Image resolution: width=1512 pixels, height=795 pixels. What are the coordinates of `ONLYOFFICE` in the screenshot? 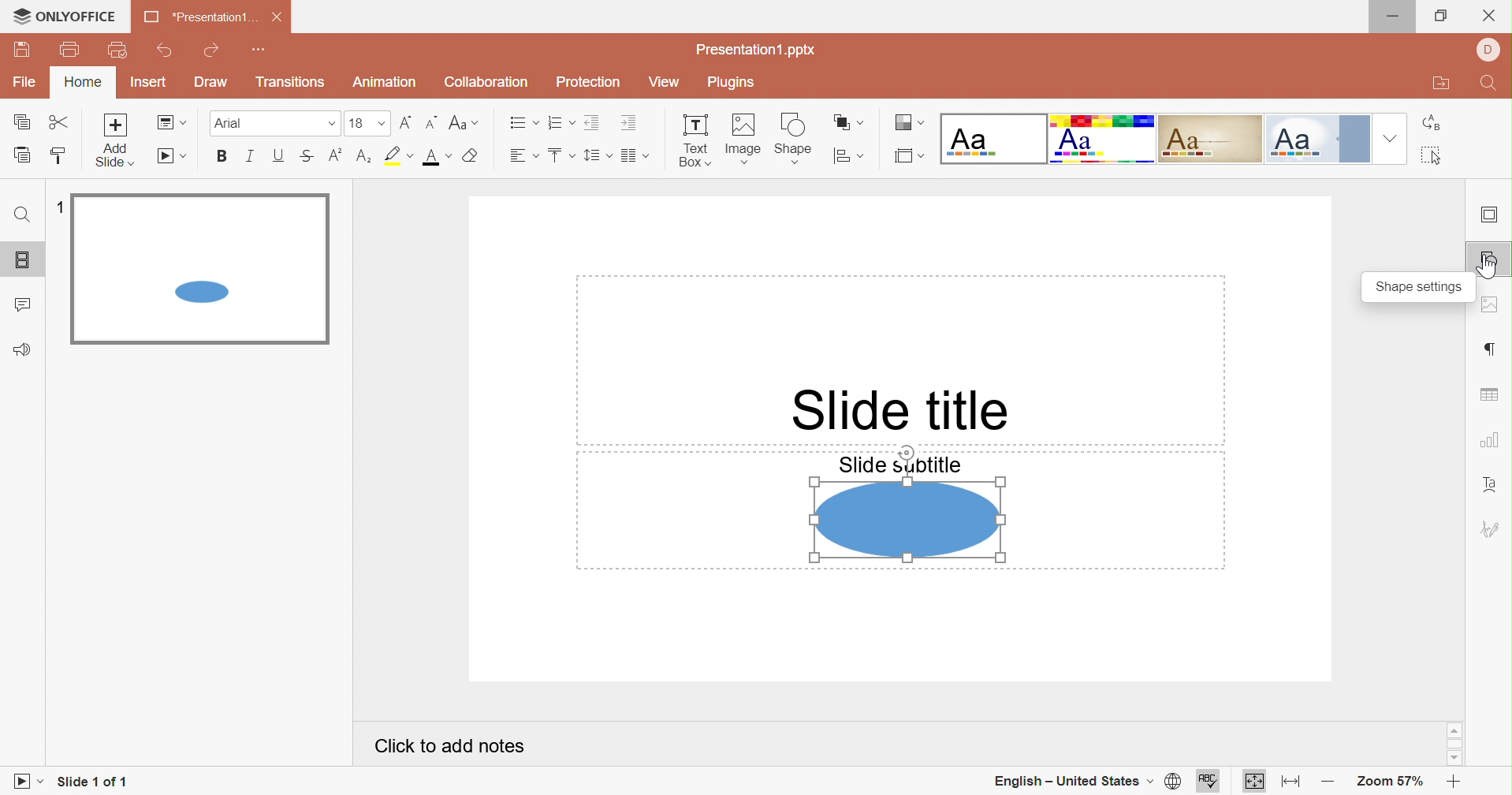 It's located at (61, 15).